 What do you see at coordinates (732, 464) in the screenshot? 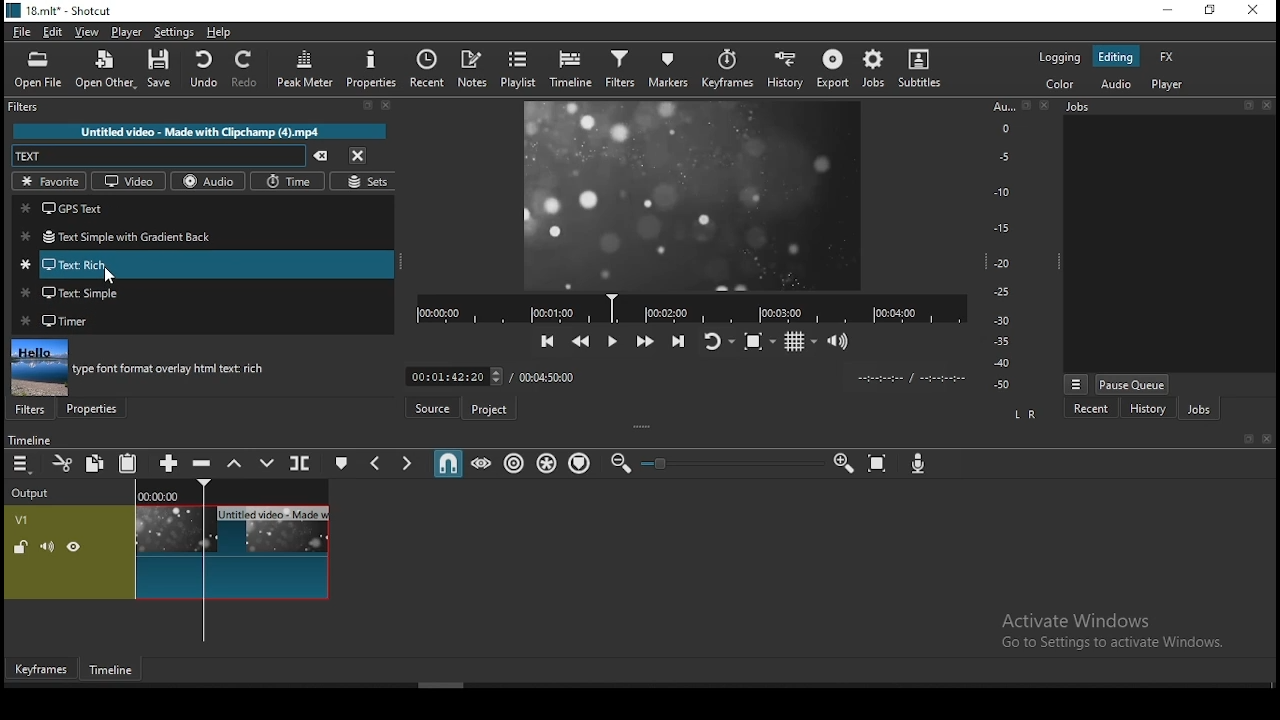
I see `Zoom Slider` at bounding box center [732, 464].